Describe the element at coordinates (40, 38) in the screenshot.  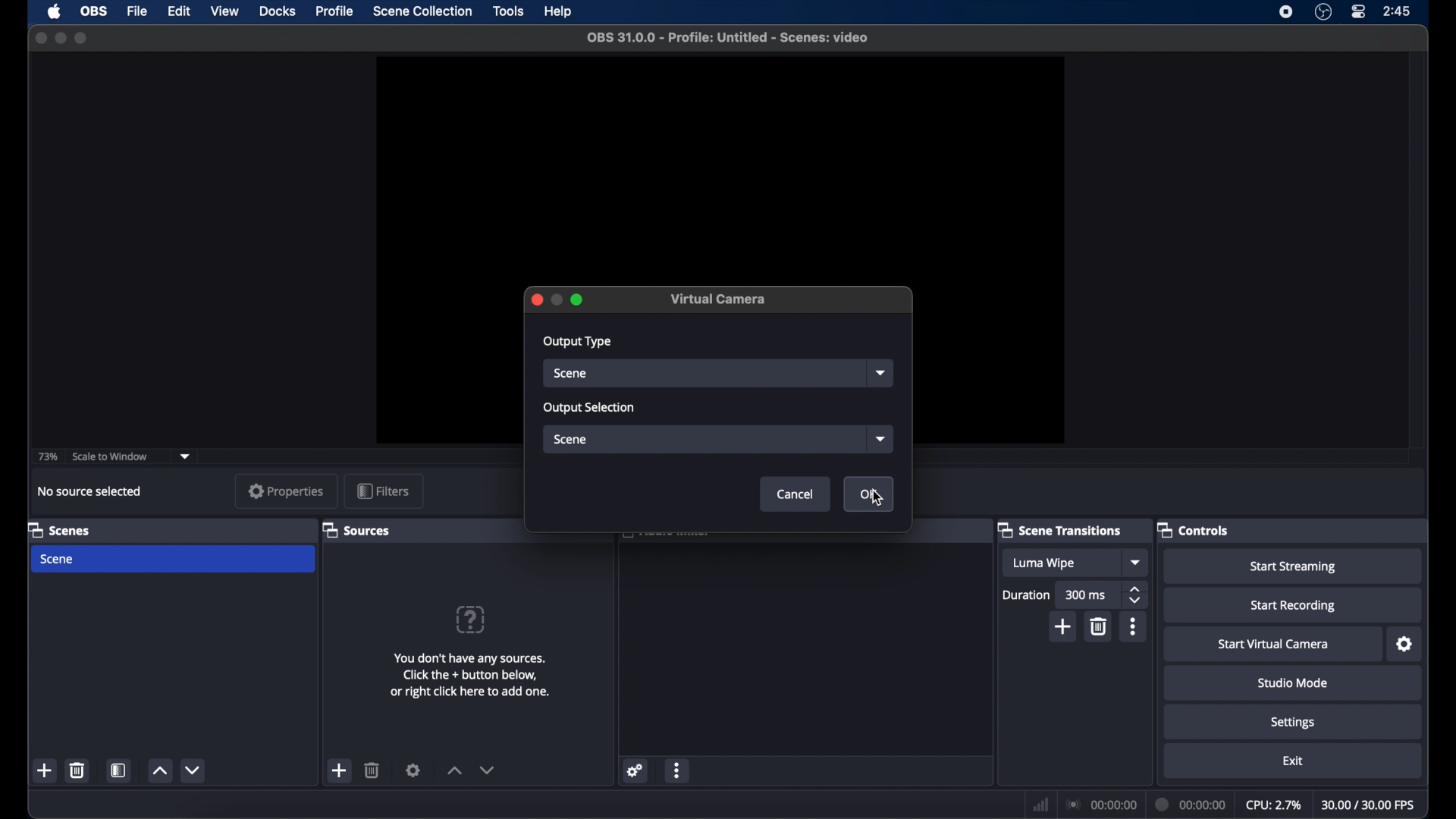
I see `close` at that location.